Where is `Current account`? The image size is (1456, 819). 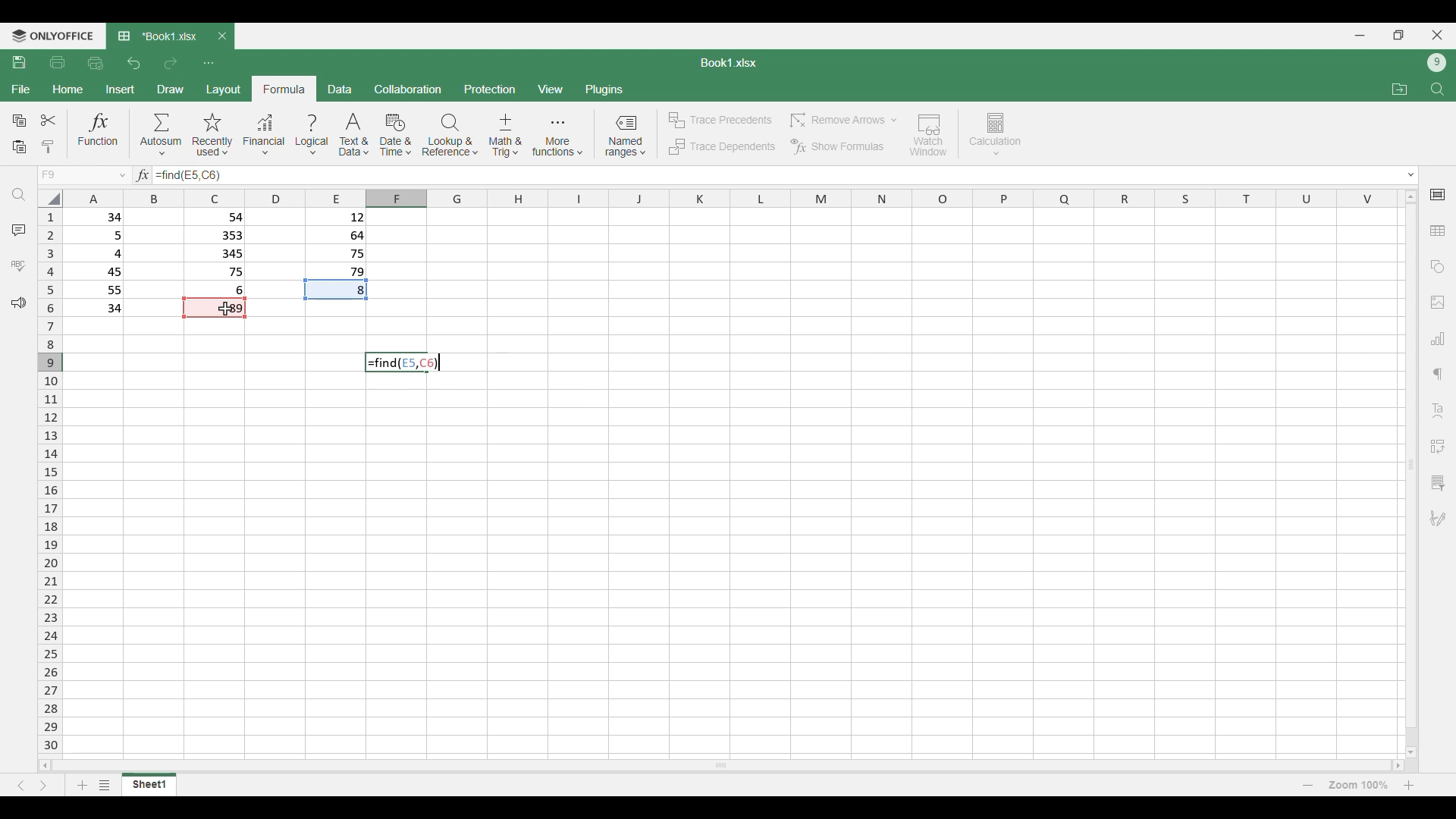 Current account is located at coordinates (1437, 63).